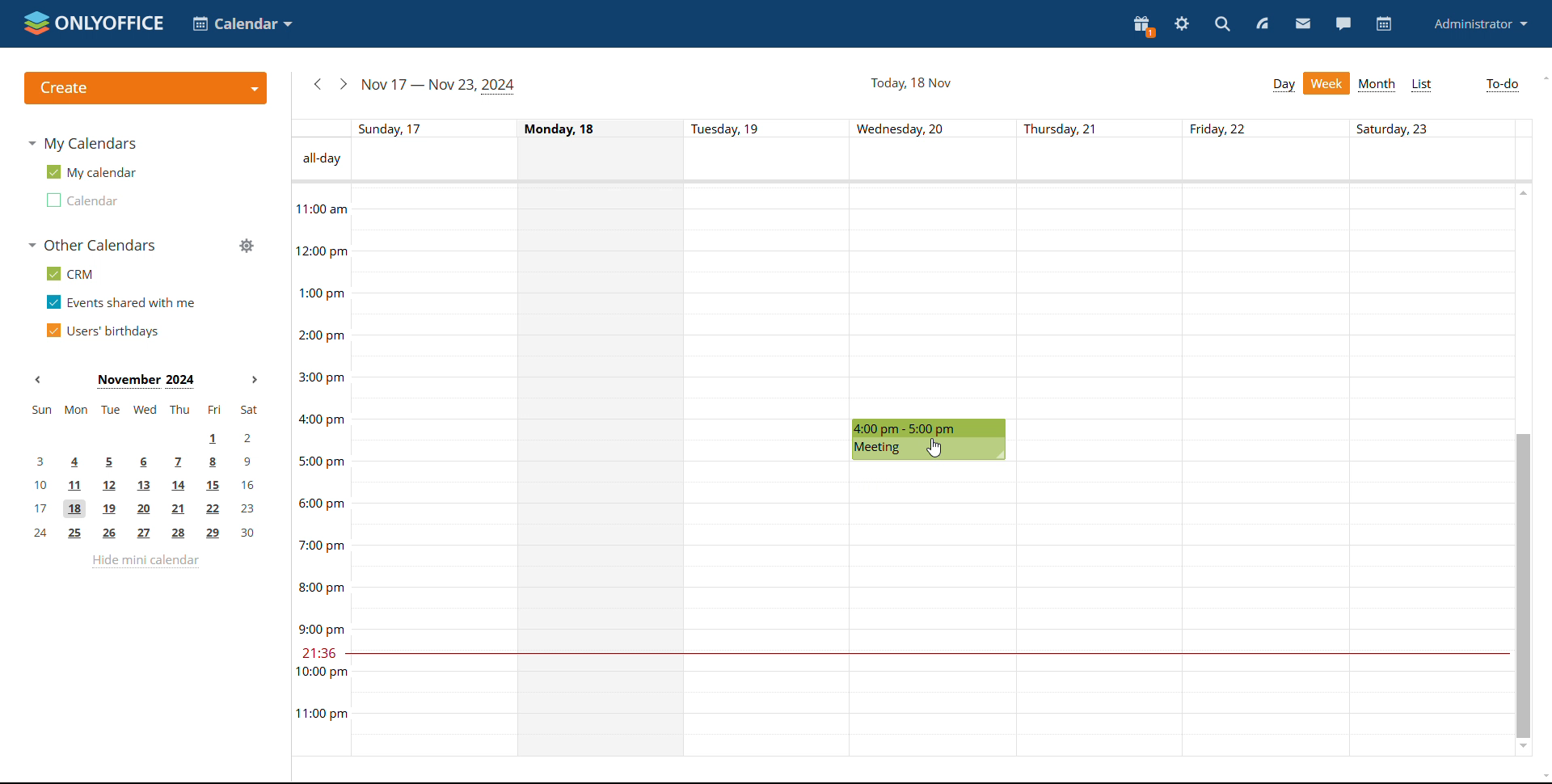  What do you see at coordinates (769, 471) in the screenshot?
I see `Tuesday` at bounding box center [769, 471].